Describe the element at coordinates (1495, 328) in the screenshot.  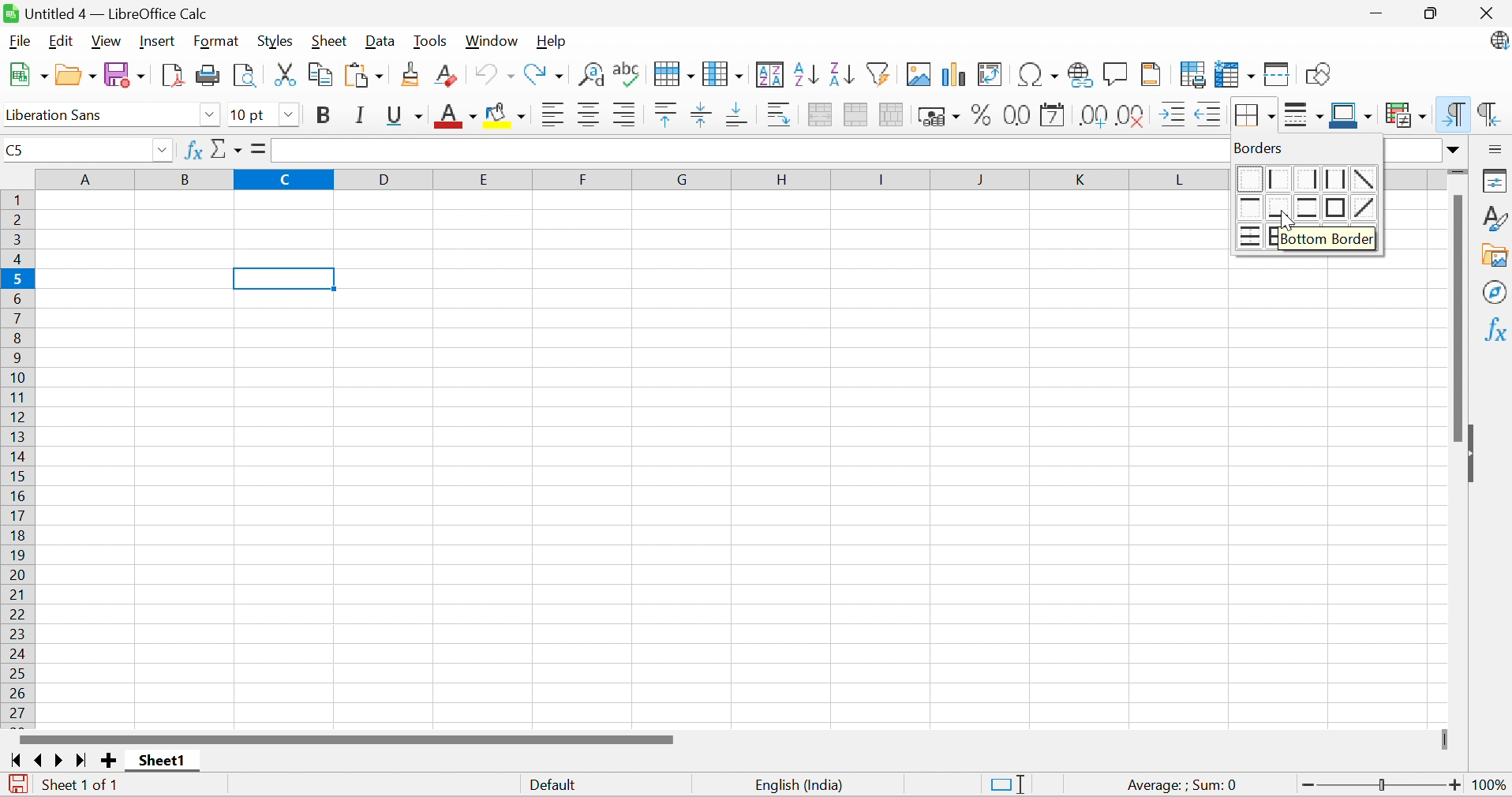
I see `Functions` at that location.